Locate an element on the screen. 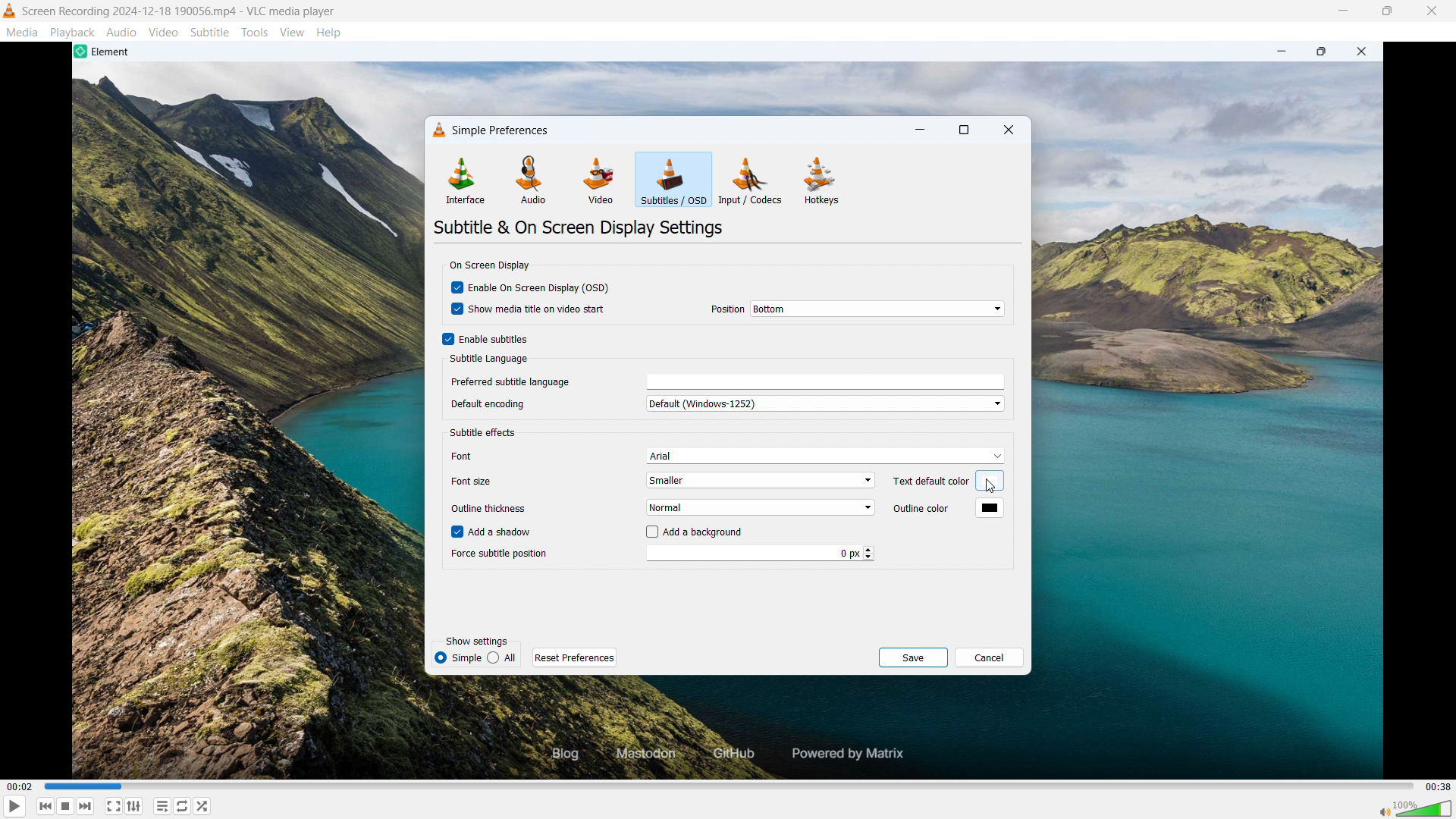 This screenshot has width=1456, height=819. Checkbox is located at coordinates (447, 338).